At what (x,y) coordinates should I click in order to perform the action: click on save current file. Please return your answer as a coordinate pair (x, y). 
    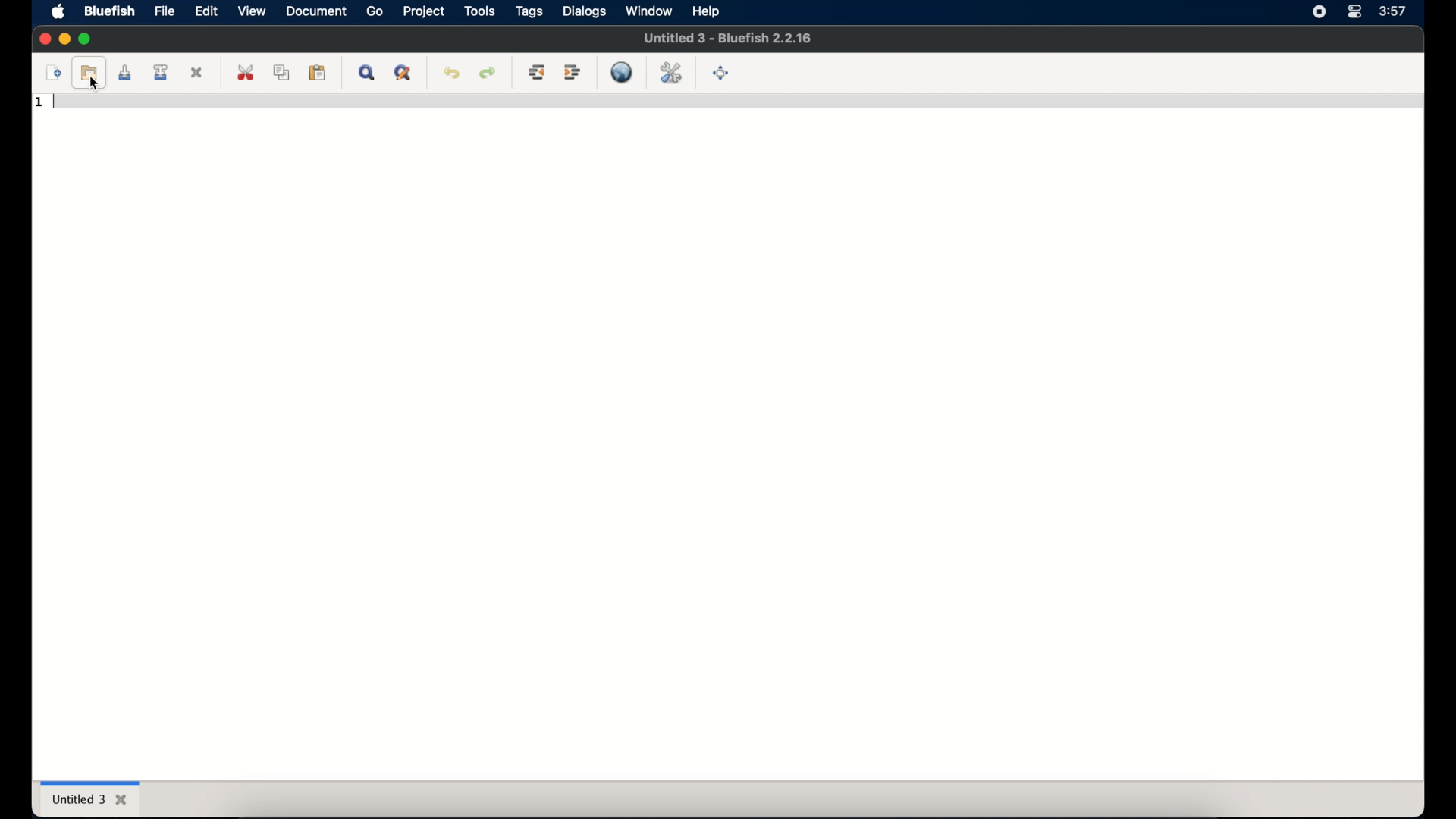
    Looking at the image, I should click on (124, 74).